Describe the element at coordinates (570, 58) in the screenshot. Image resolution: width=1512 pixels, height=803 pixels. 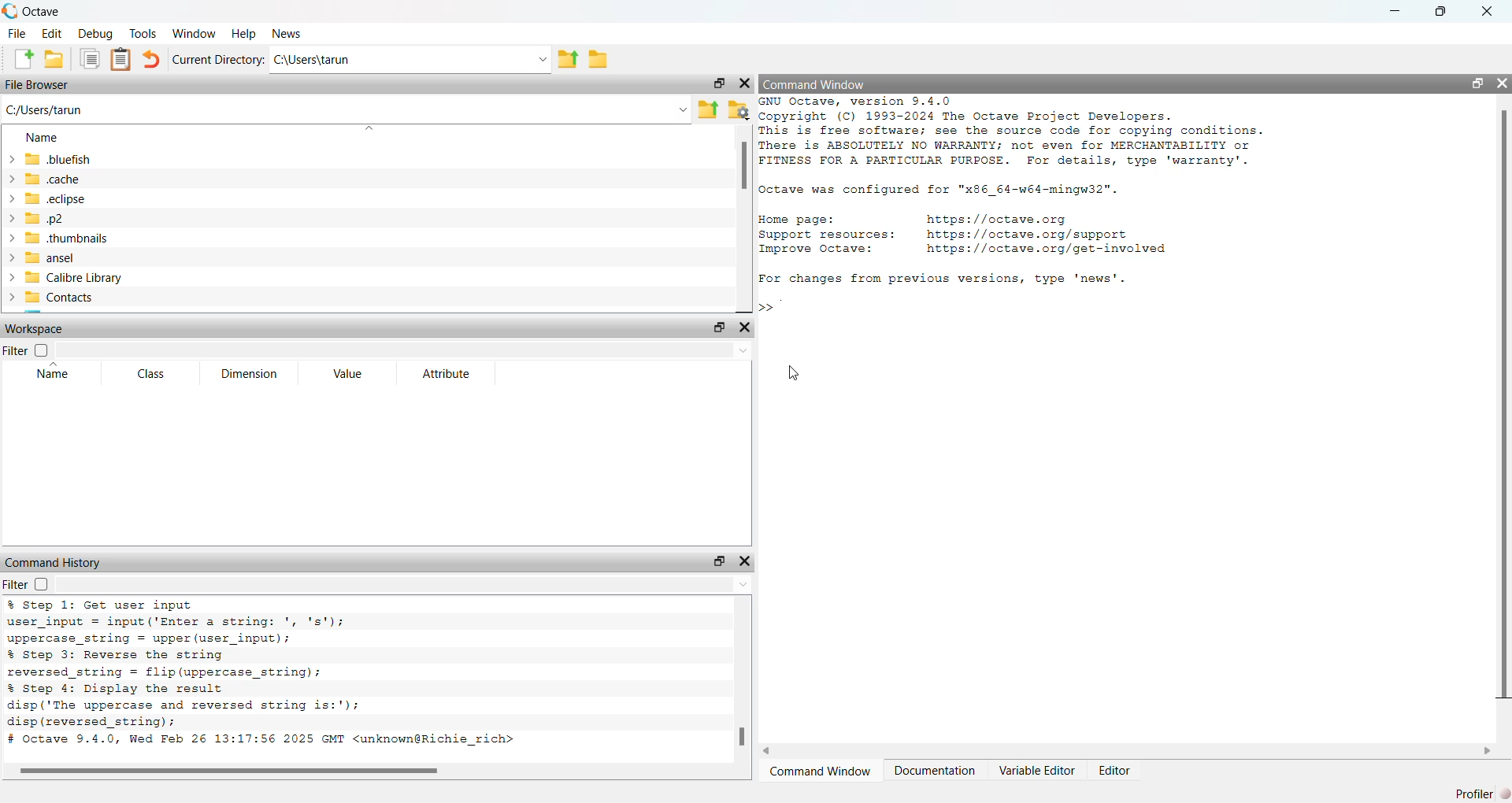
I see `one directory up` at that location.